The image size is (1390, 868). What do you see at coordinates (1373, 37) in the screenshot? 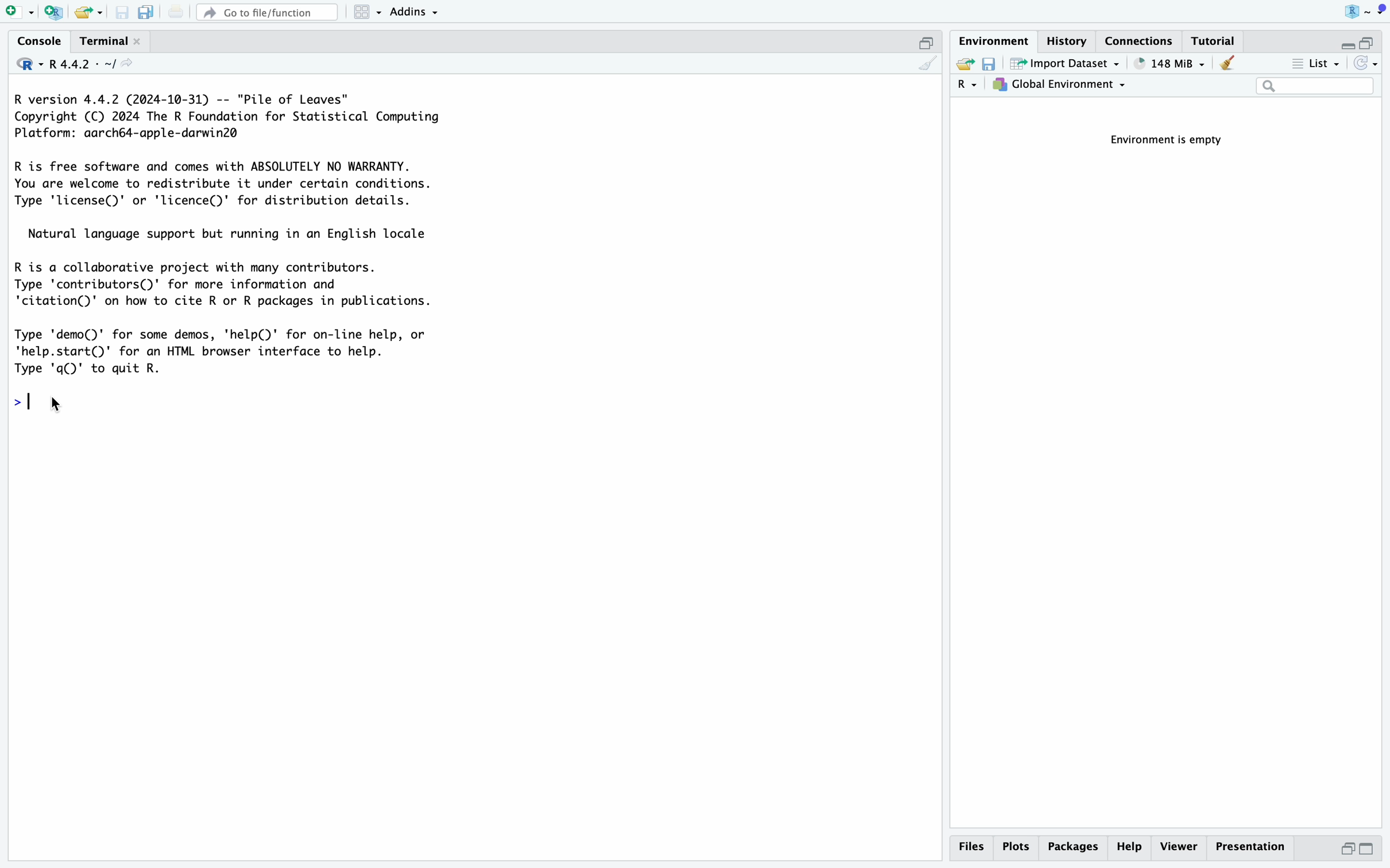
I see `maximize` at bounding box center [1373, 37].